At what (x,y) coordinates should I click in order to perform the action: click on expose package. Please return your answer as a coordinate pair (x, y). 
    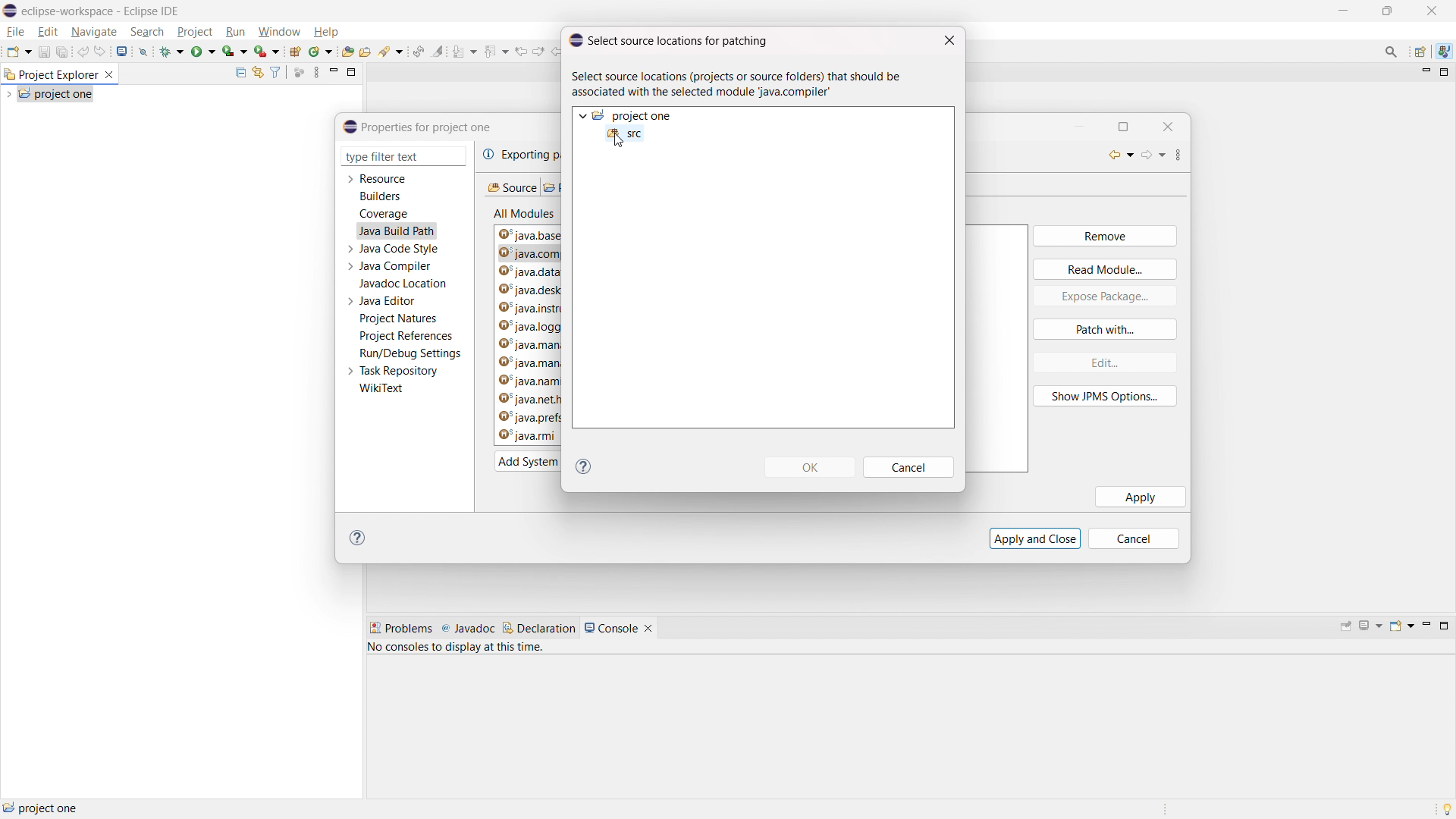
    Looking at the image, I should click on (1105, 297).